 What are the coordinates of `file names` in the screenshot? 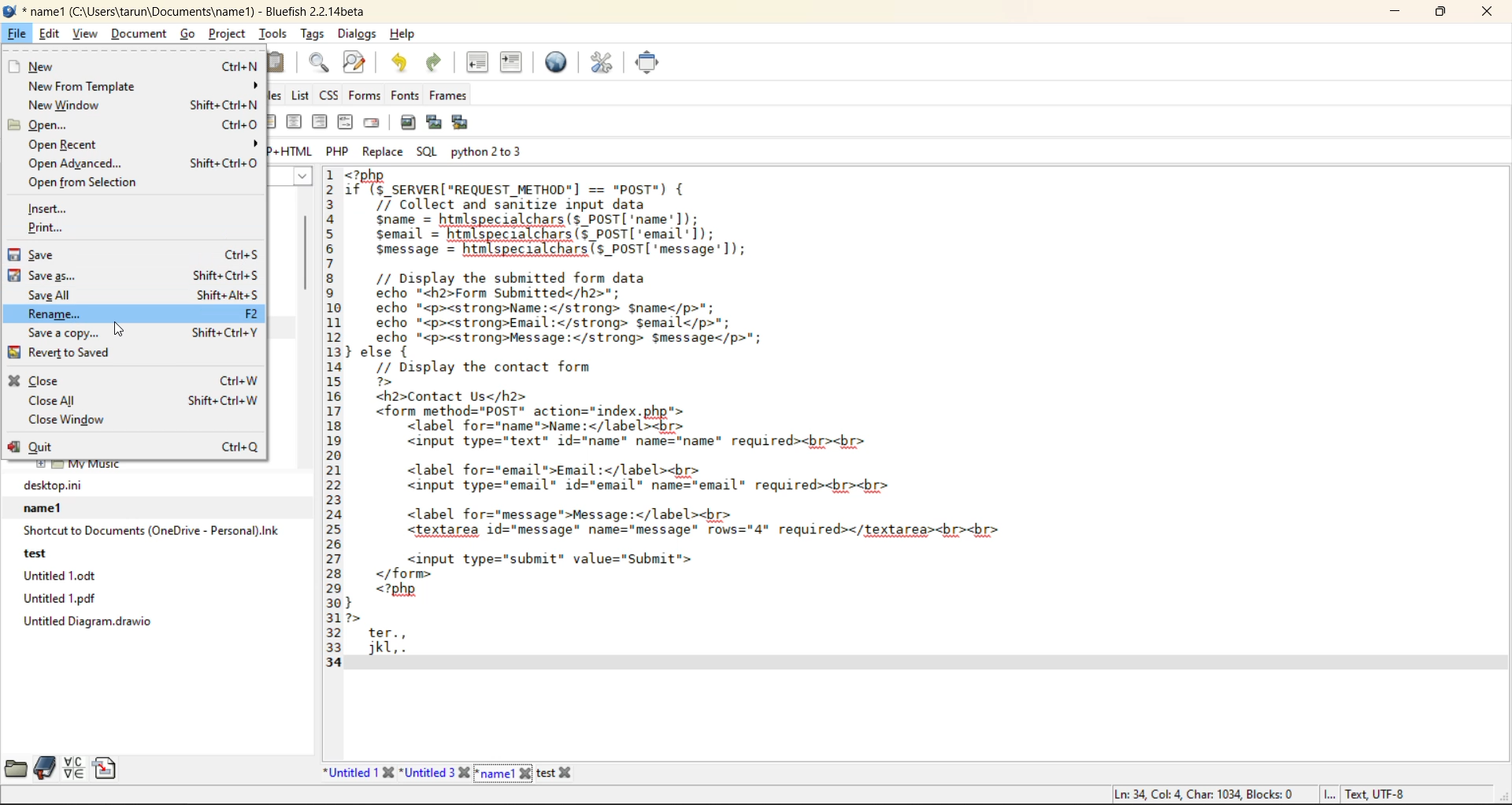 It's located at (452, 773).